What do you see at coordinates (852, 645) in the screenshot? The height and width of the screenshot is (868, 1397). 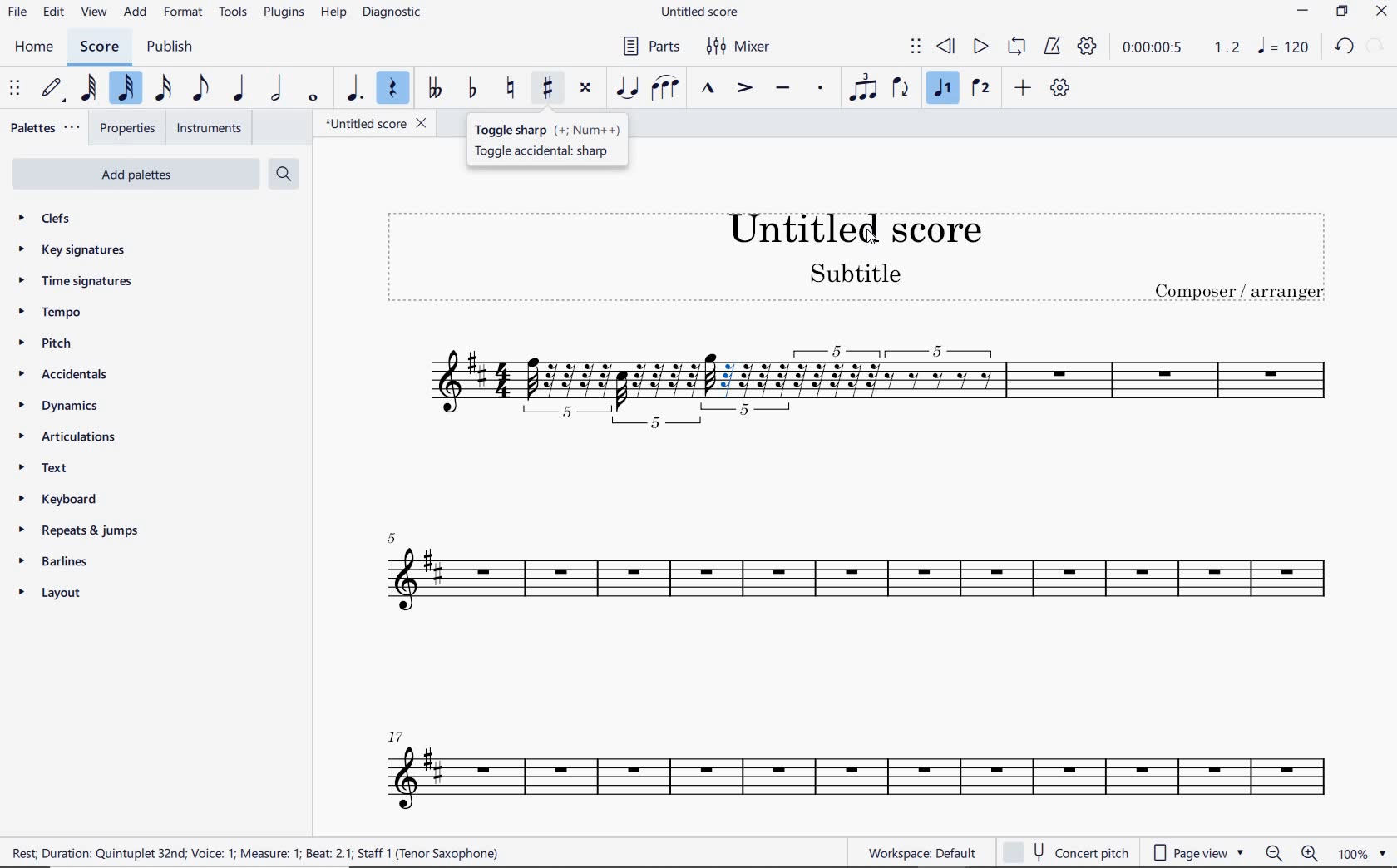 I see `INSTRUMENT: TENOR SAXOPHONE` at bounding box center [852, 645].